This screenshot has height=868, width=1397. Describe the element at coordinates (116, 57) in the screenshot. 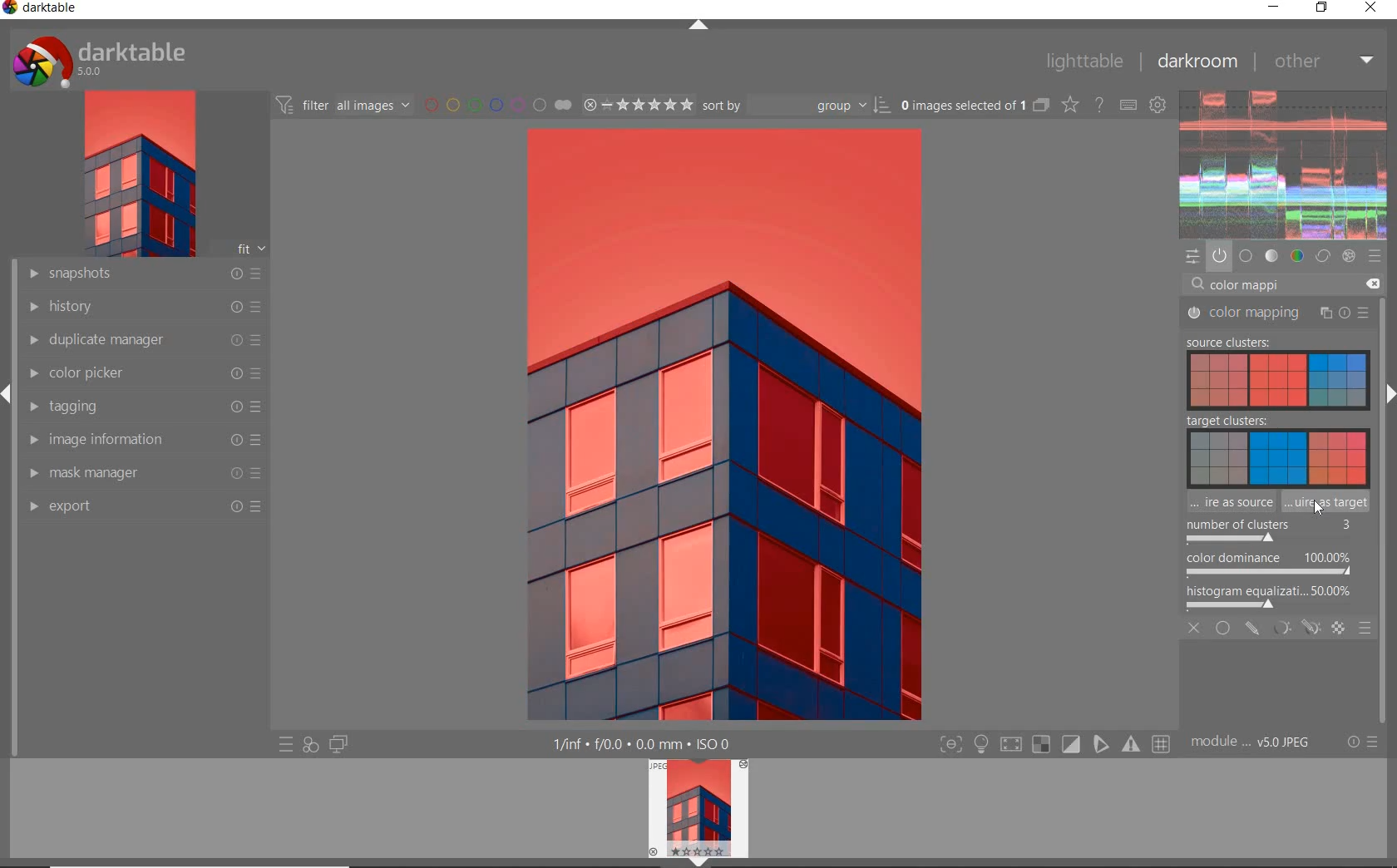

I see `darktable` at that location.